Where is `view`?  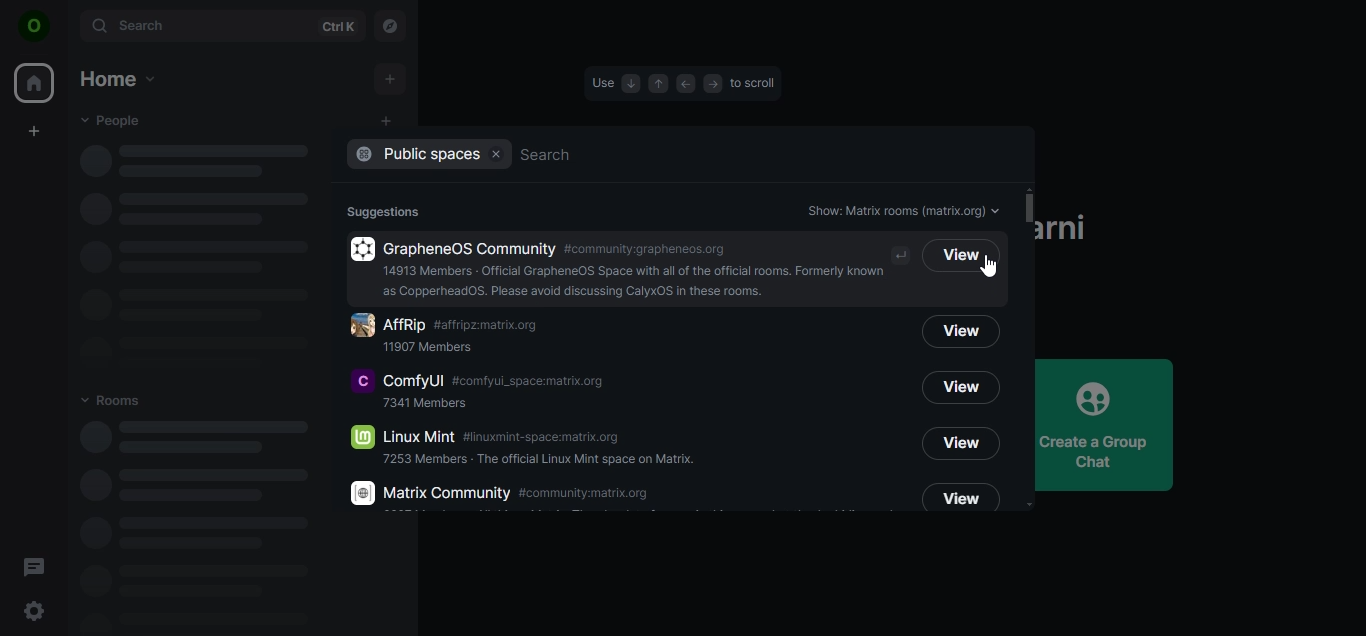
view is located at coordinates (960, 444).